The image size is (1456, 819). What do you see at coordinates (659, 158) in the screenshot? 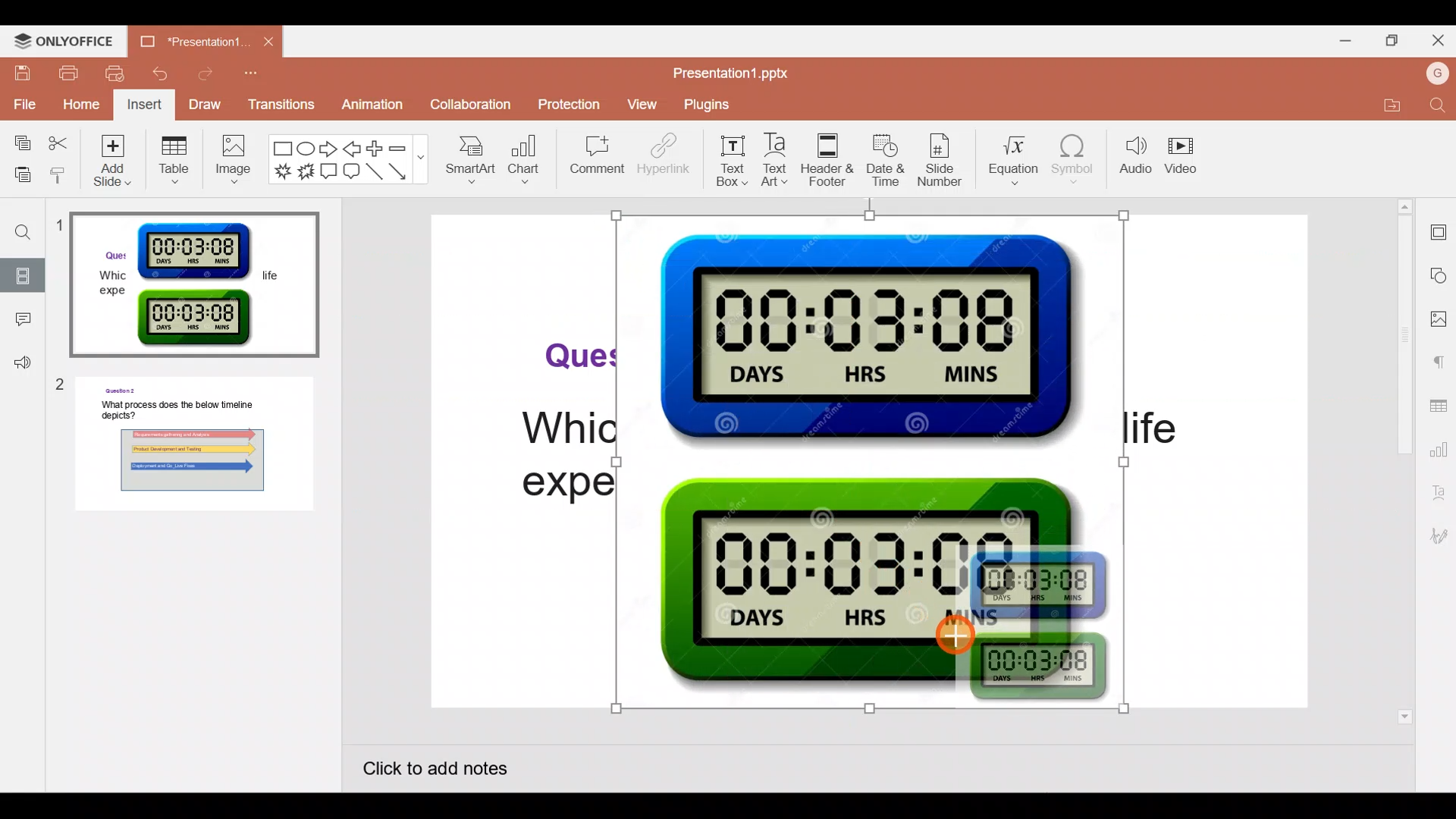
I see `Hyperlink` at bounding box center [659, 158].